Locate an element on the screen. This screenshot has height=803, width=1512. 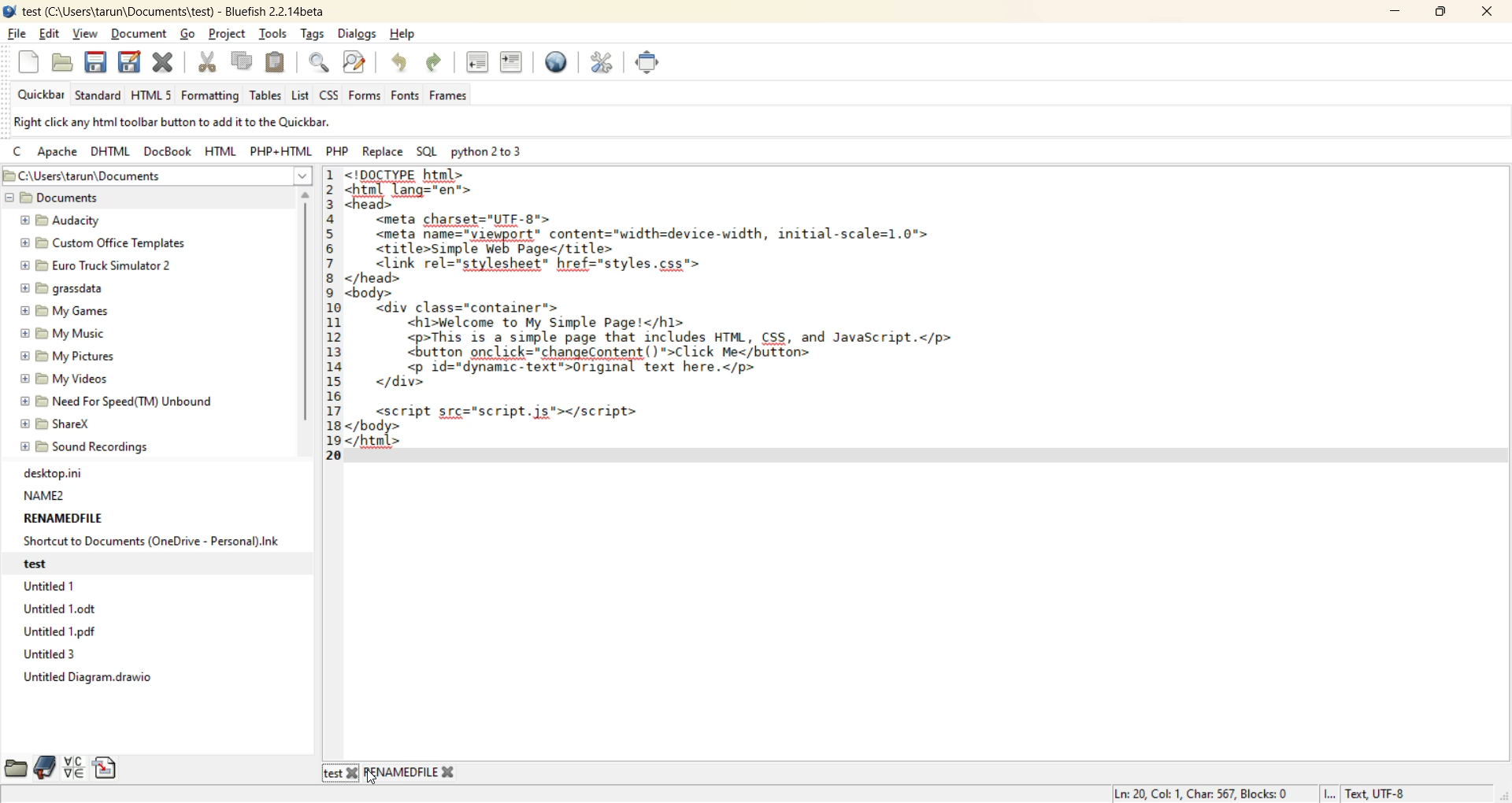
Shortcut to Documents (OneDrive - Personal).Ink is located at coordinates (152, 540).